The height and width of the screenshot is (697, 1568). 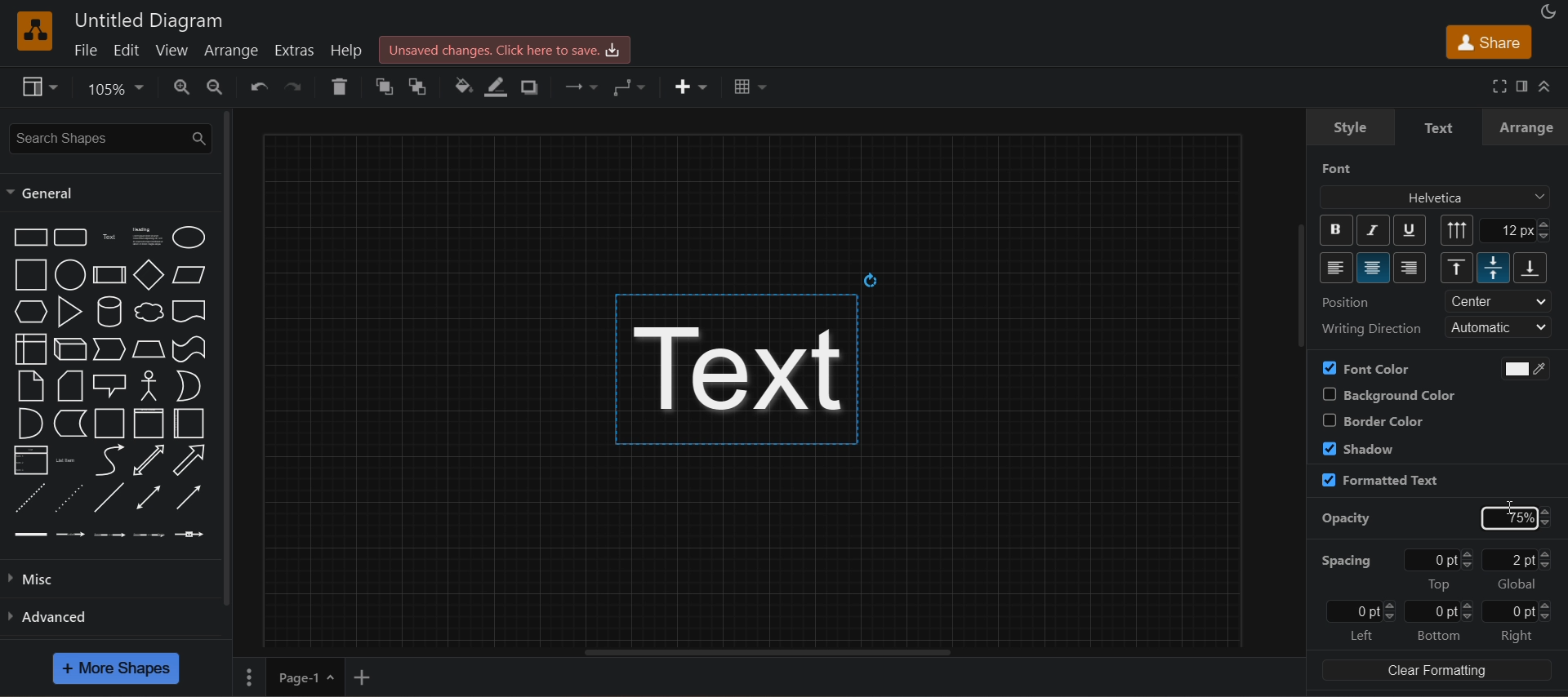 I want to click on redo, so click(x=296, y=85).